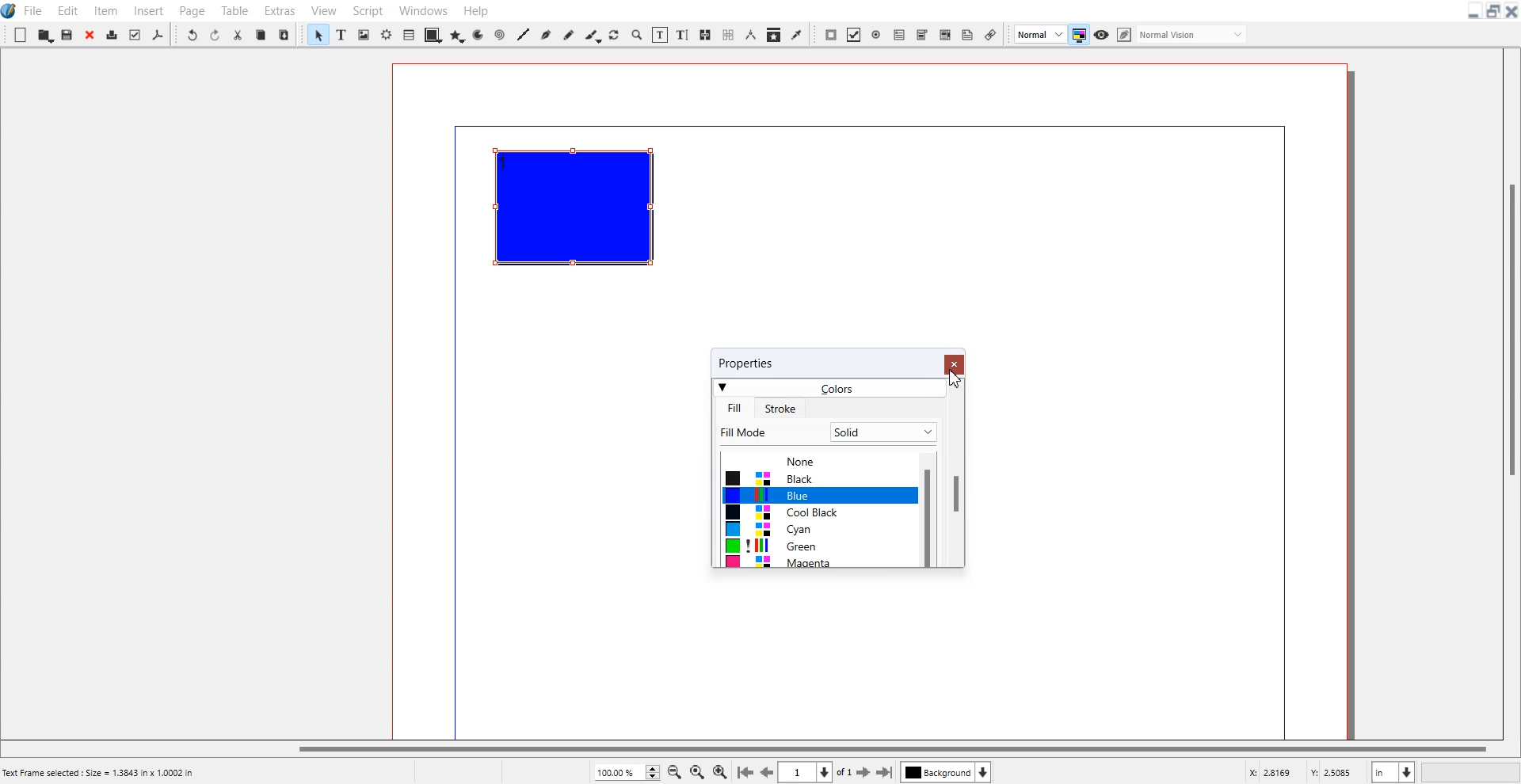 This screenshot has height=784, width=1521. What do you see at coordinates (433, 34) in the screenshot?
I see `Shape` at bounding box center [433, 34].